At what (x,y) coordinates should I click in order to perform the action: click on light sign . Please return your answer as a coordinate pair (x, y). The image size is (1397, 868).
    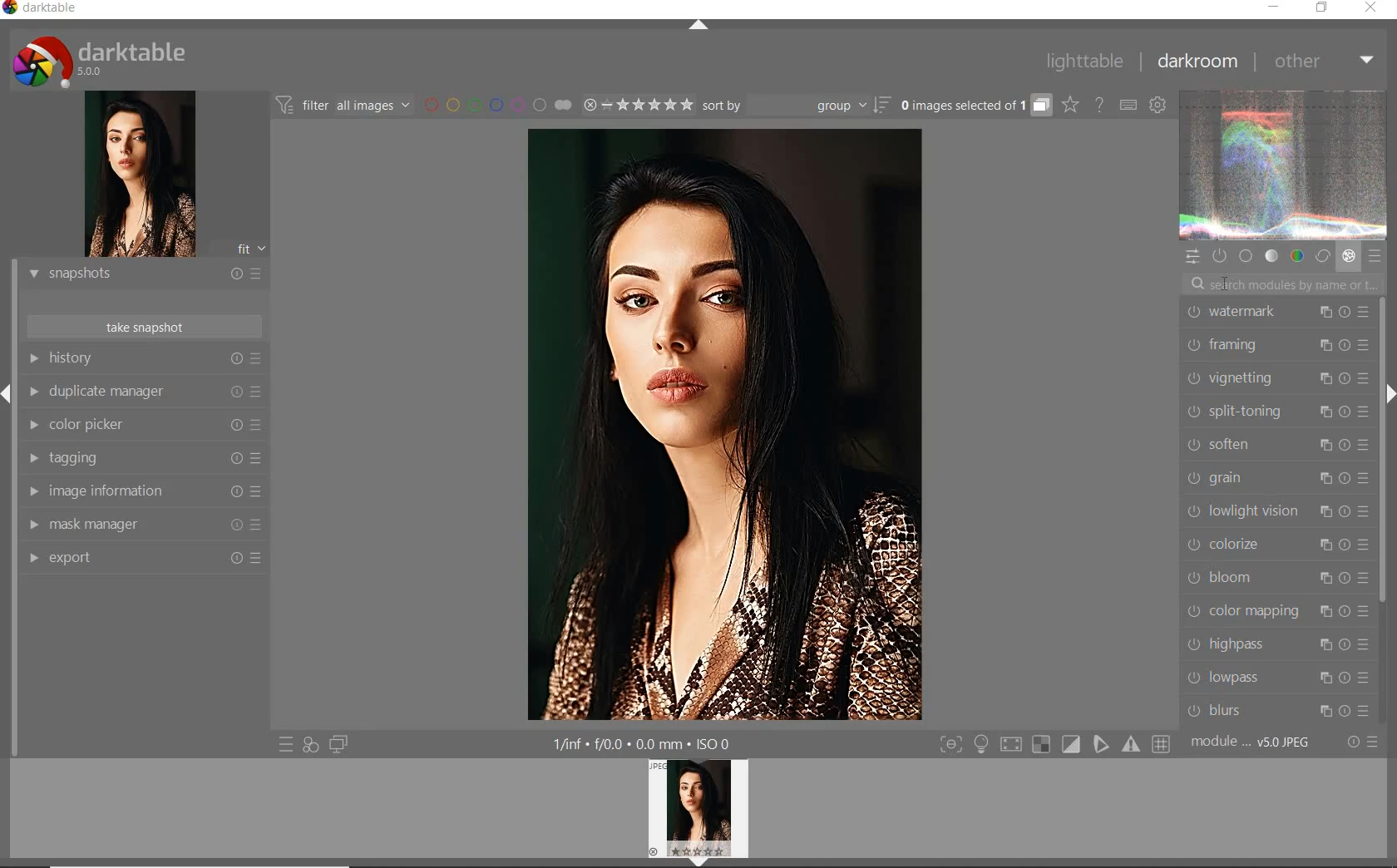
    Looking at the image, I should click on (983, 745).